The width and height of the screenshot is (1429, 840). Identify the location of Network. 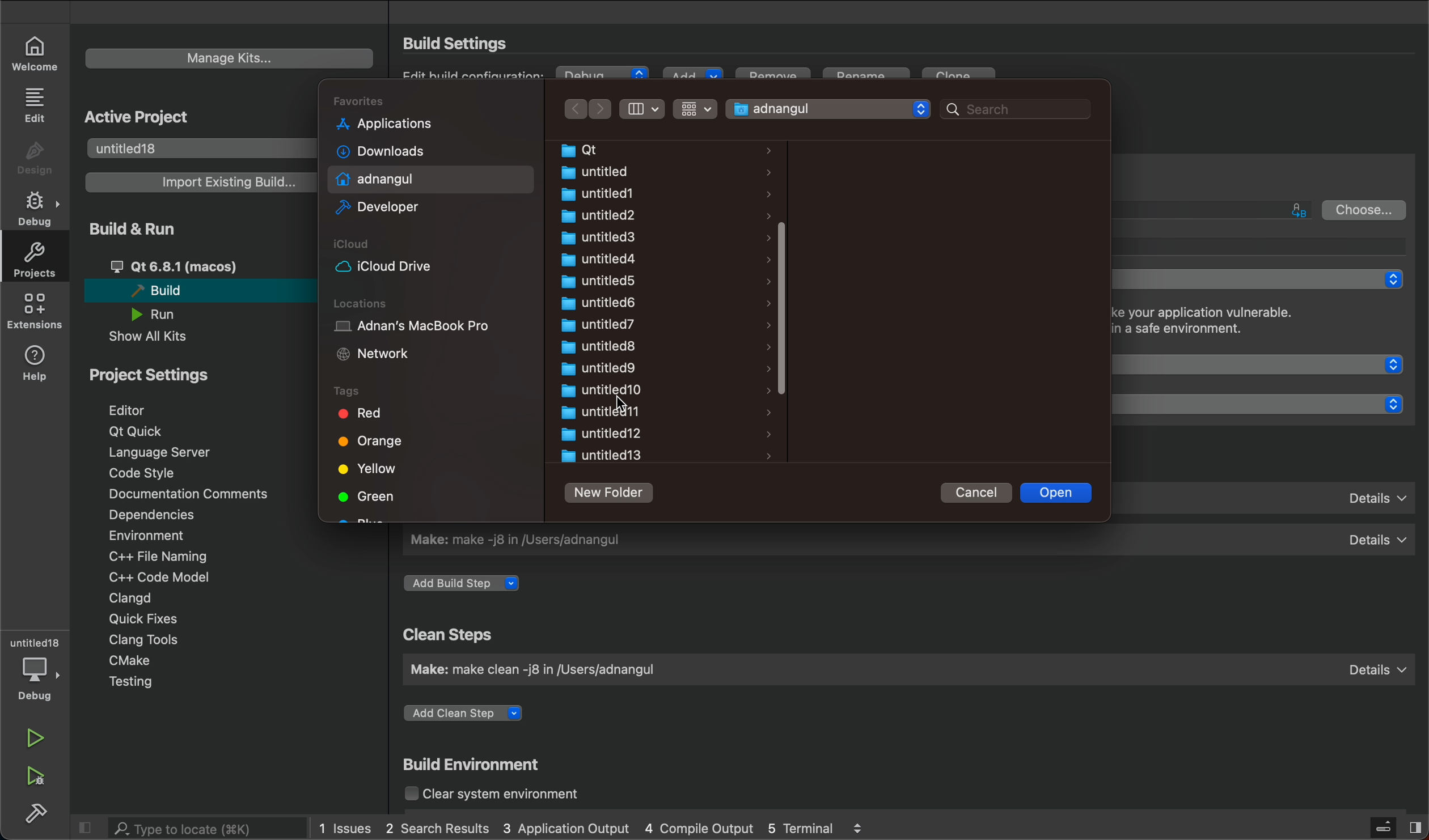
(373, 356).